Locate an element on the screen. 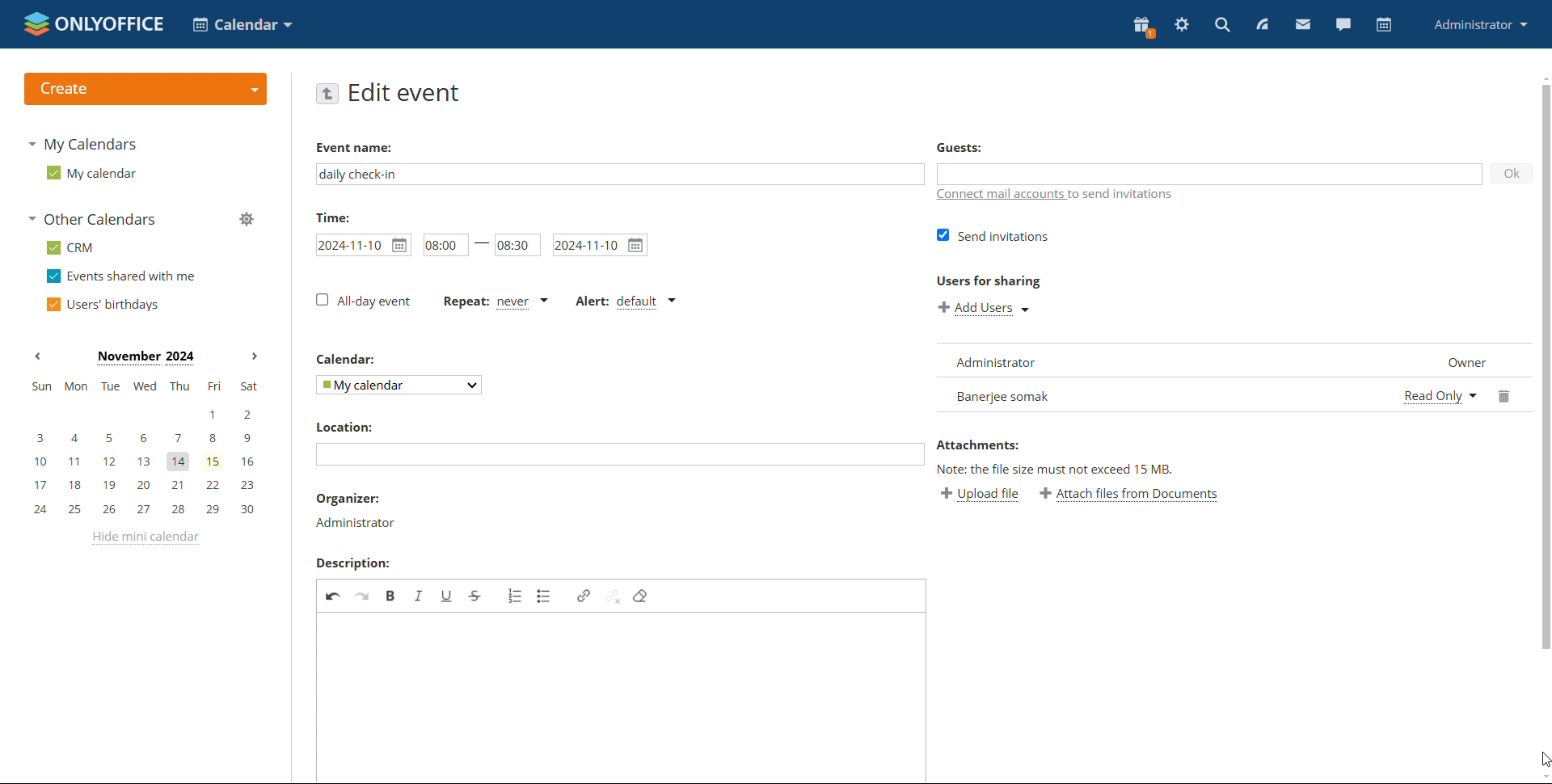 The width and height of the screenshot is (1552, 784). redo is located at coordinates (364, 596).